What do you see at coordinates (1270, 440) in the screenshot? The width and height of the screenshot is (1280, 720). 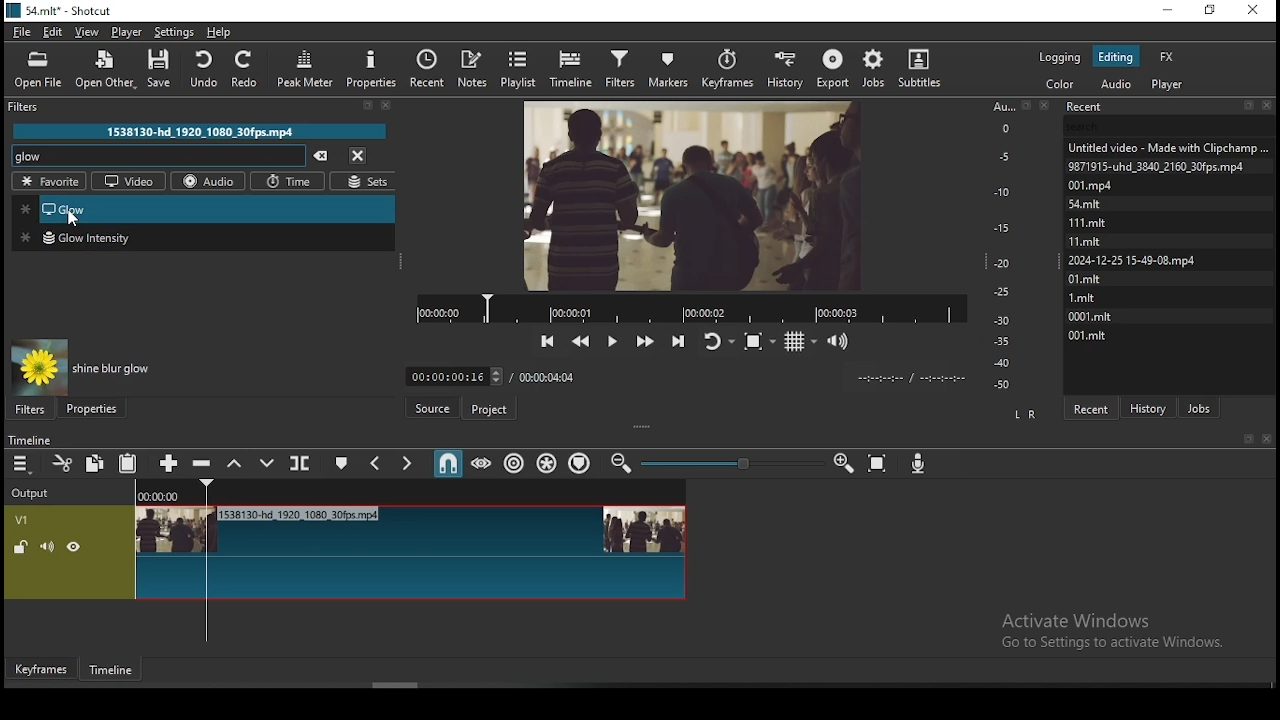 I see `close` at bounding box center [1270, 440].